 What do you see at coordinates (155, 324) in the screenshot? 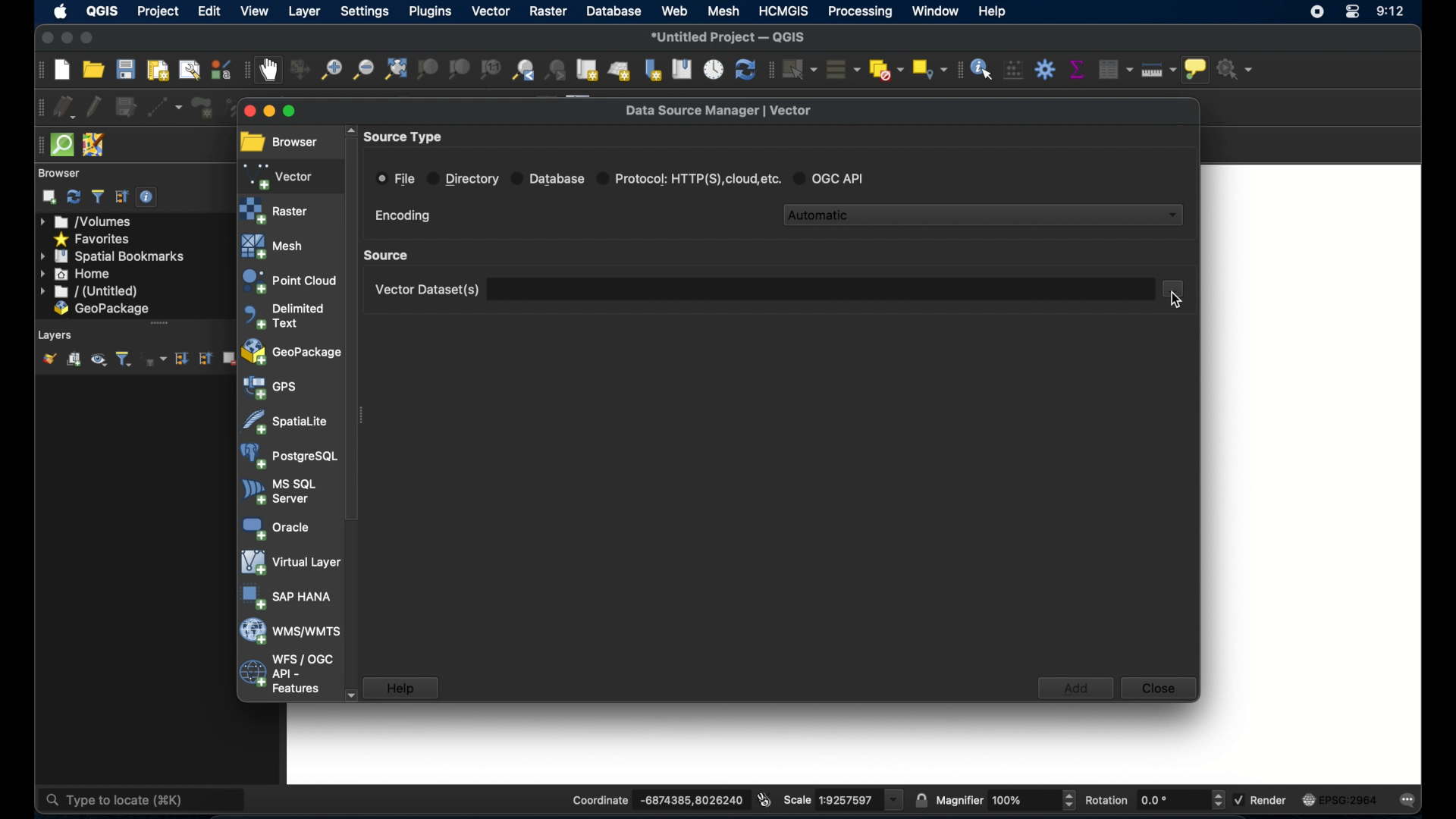
I see `scroll bar` at bounding box center [155, 324].